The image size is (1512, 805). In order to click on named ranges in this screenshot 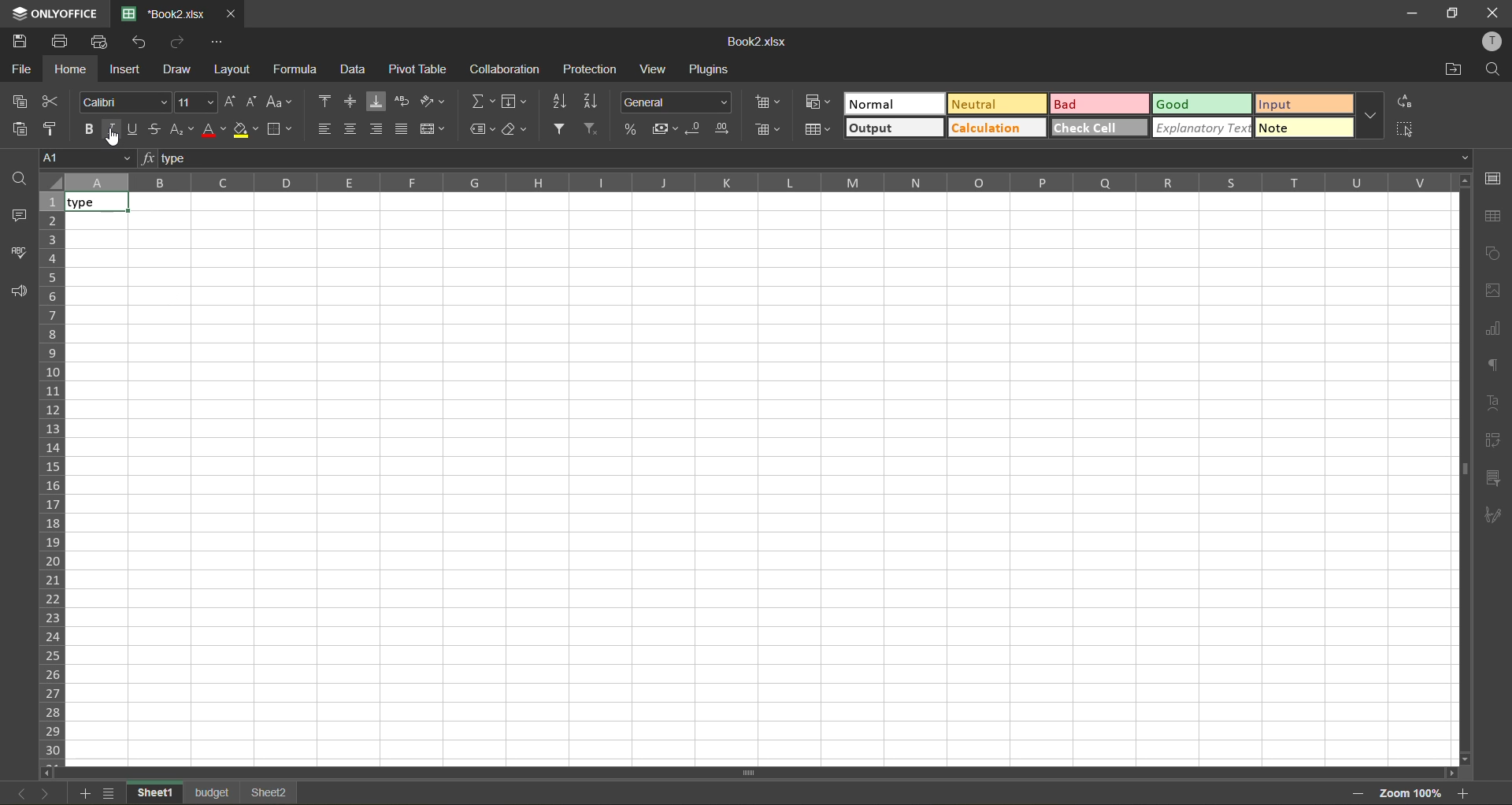, I will do `click(483, 130)`.